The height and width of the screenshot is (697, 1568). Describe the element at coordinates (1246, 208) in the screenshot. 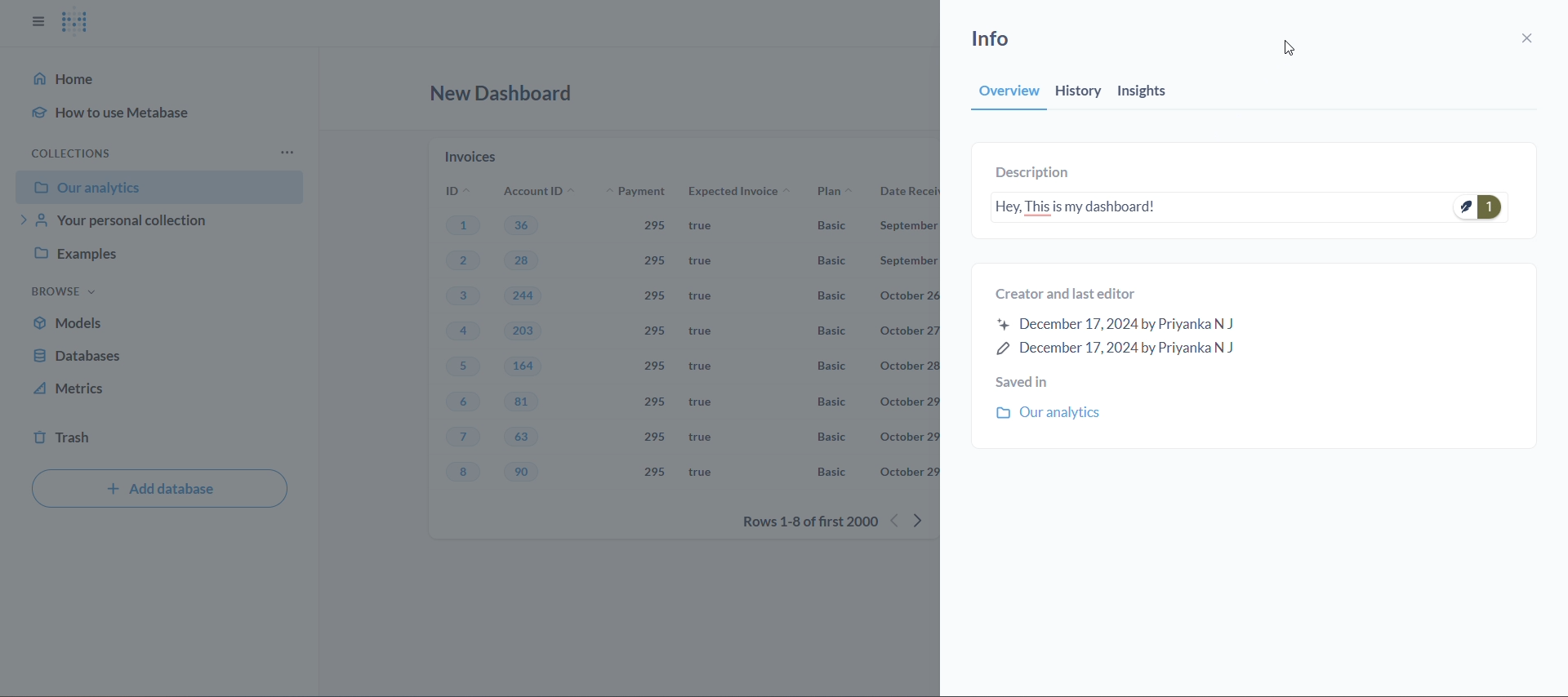

I see `Hey, This is my dashboard` at that location.